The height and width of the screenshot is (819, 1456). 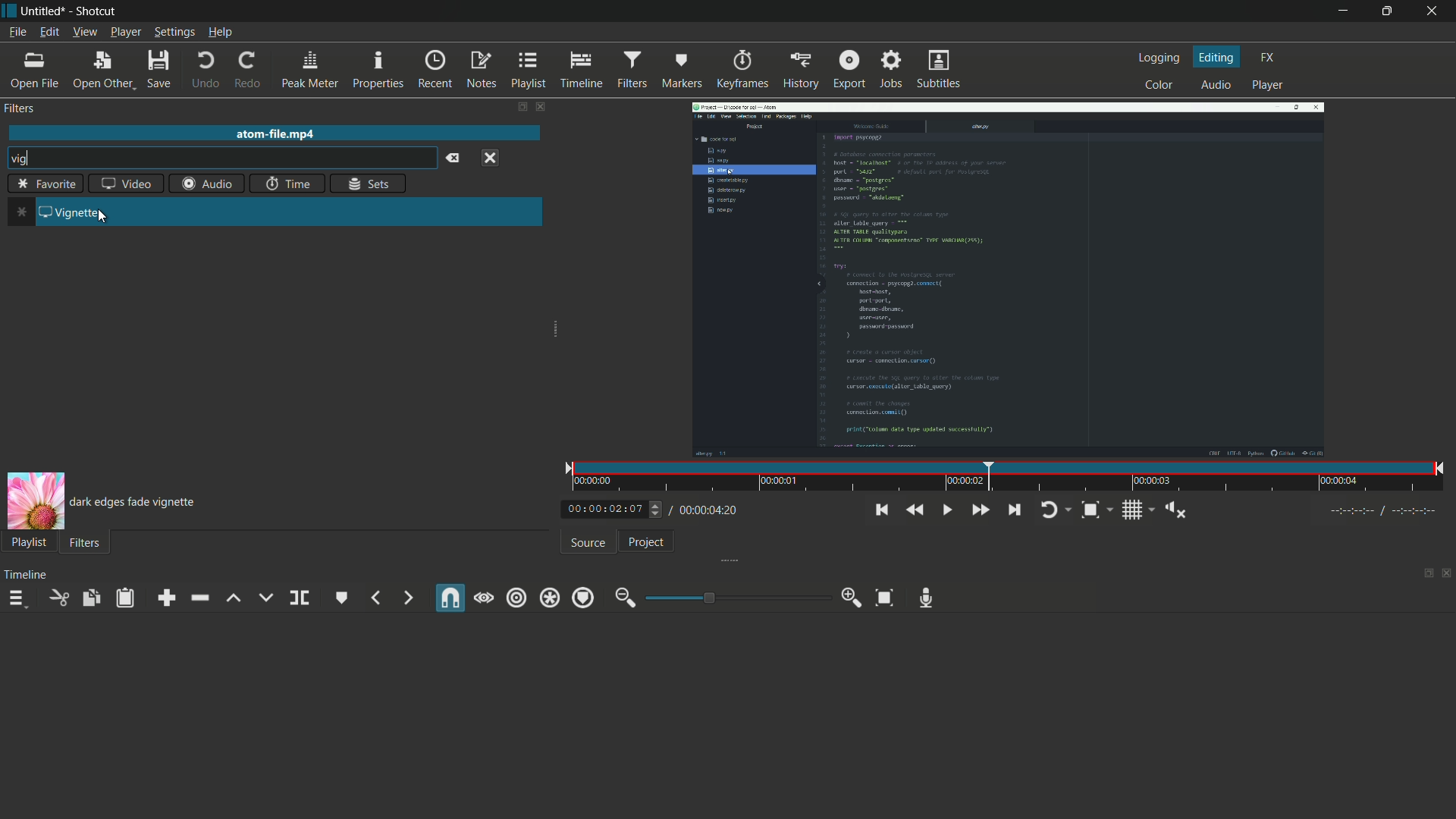 What do you see at coordinates (1137, 510) in the screenshot?
I see `toggle grid` at bounding box center [1137, 510].